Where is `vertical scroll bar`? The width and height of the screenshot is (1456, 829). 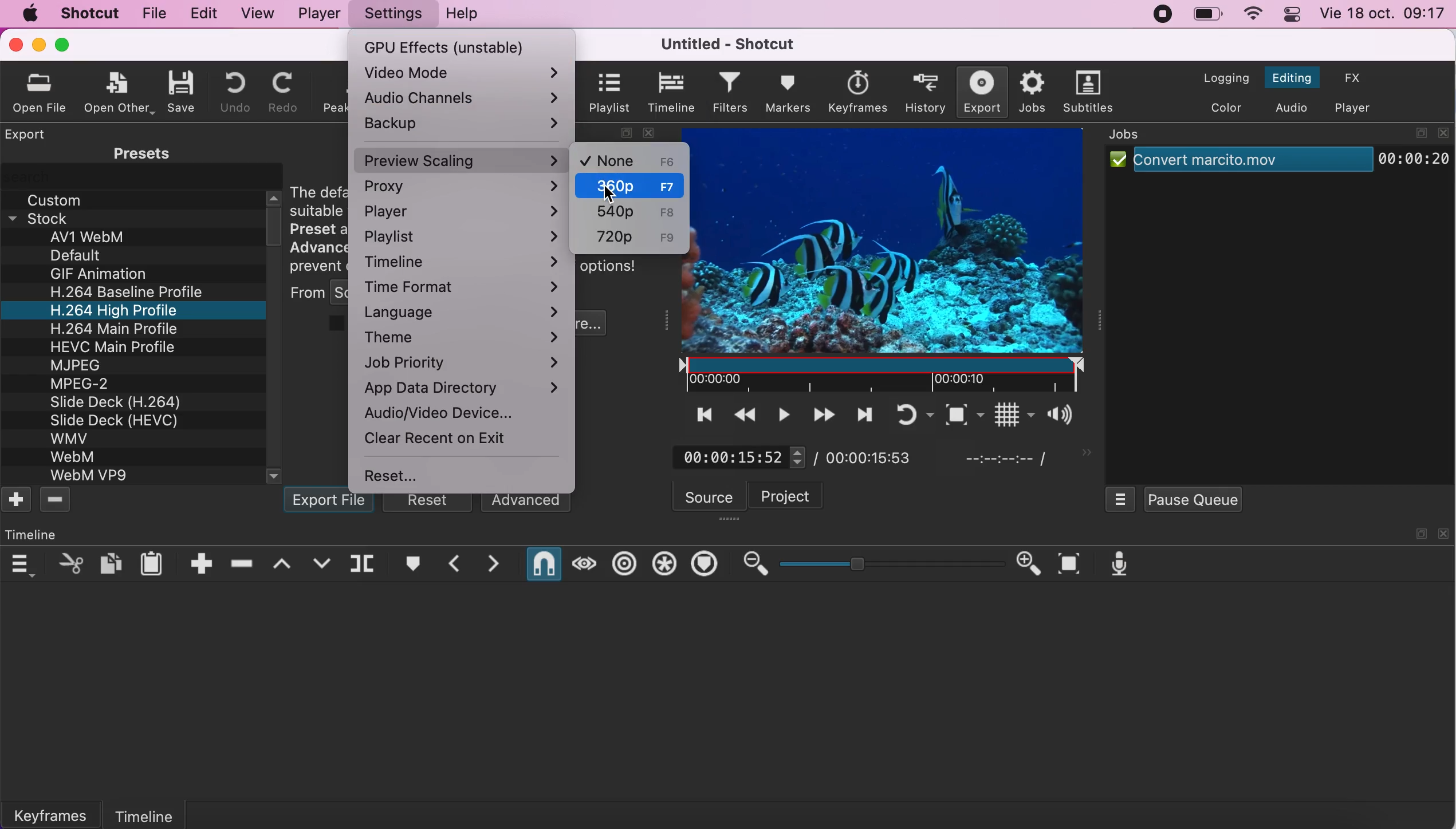
vertical scroll bar is located at coordinates (275, 224).